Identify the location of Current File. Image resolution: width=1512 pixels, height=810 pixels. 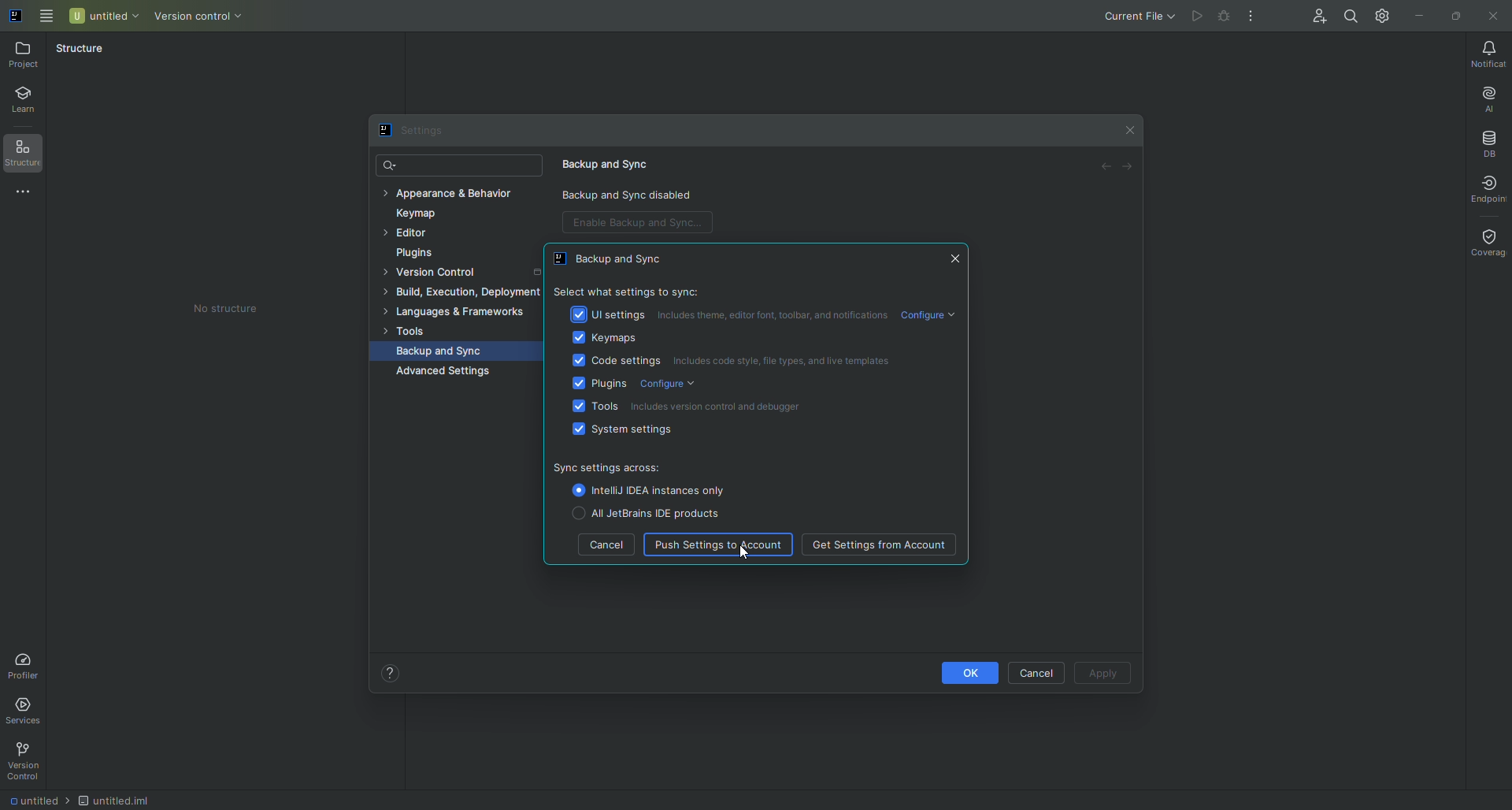
(1125, 17).